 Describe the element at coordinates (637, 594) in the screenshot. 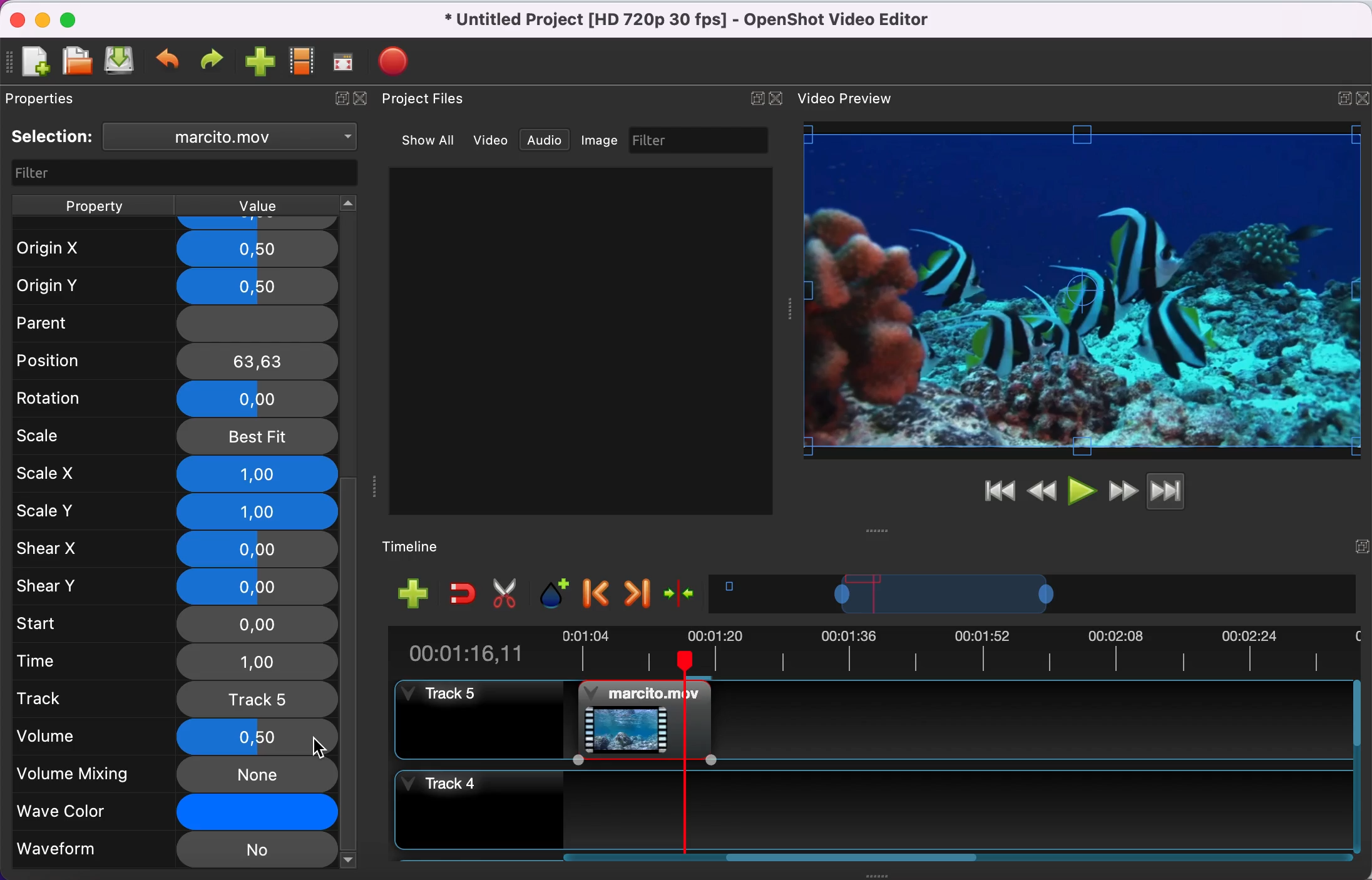

I see `next marker` at that location.